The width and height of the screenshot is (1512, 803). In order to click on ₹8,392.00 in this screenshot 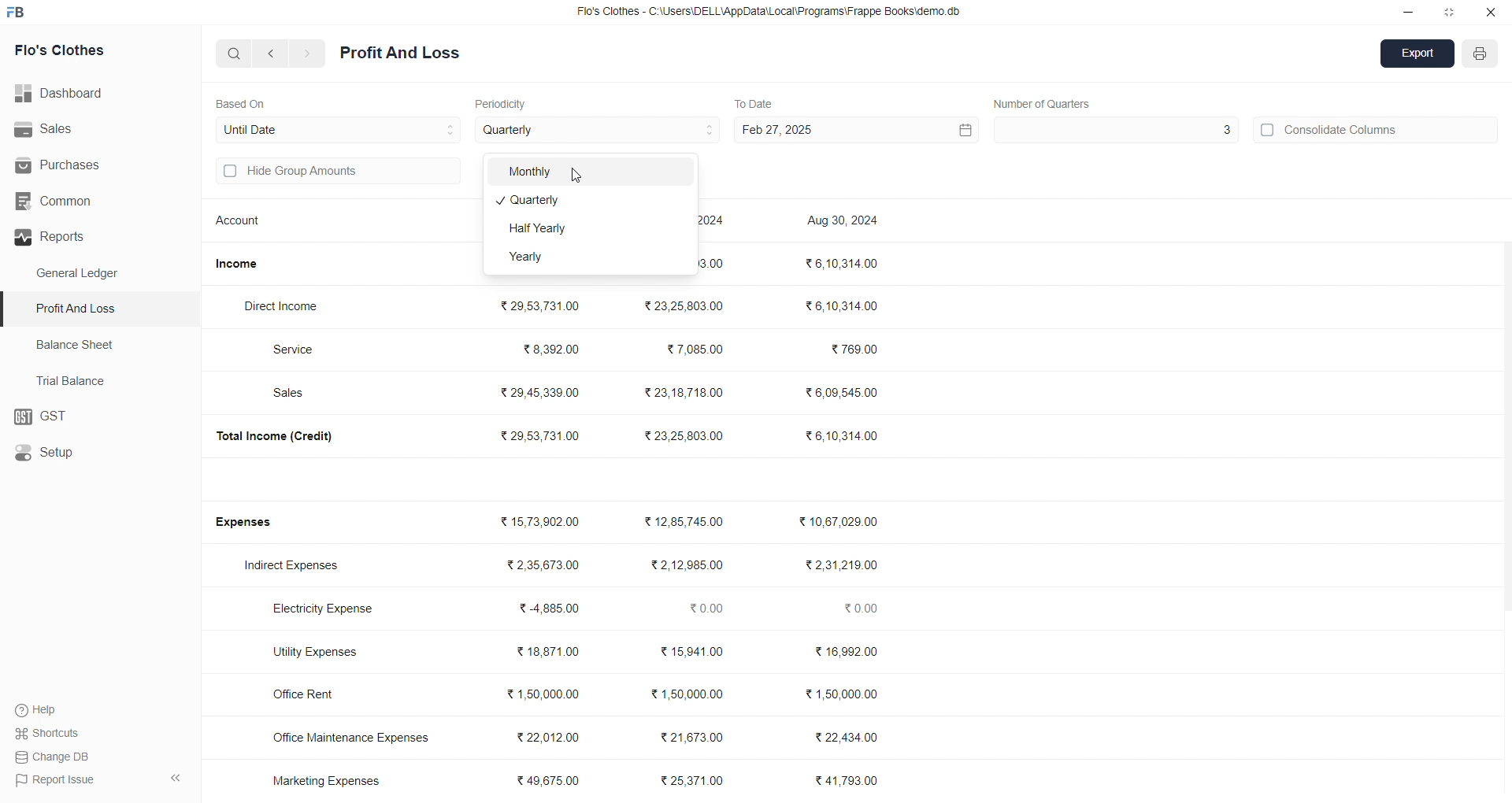, I will do `click(553, 348)`.